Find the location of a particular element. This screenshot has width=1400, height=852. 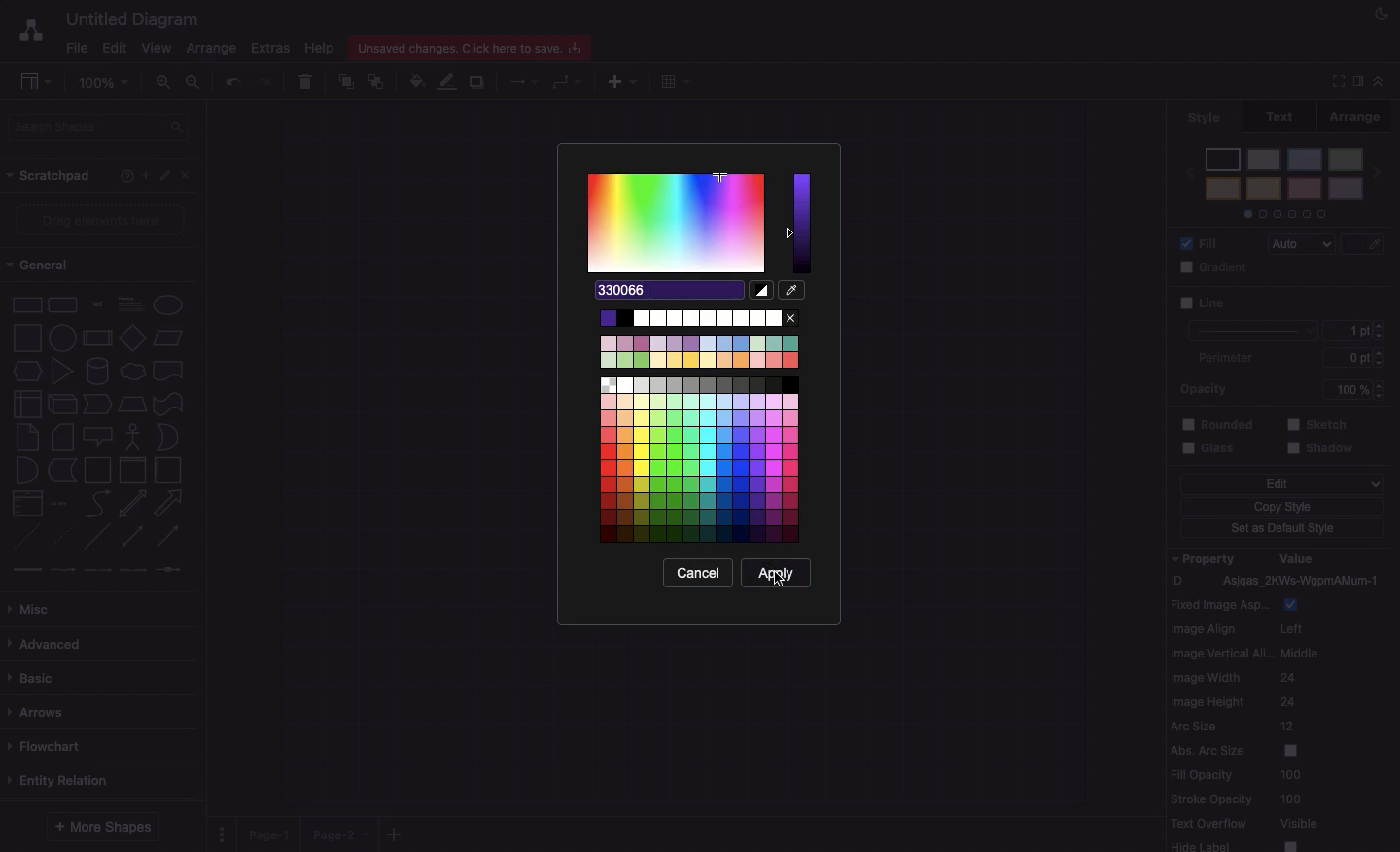

and is located at coordinates (26, 471).